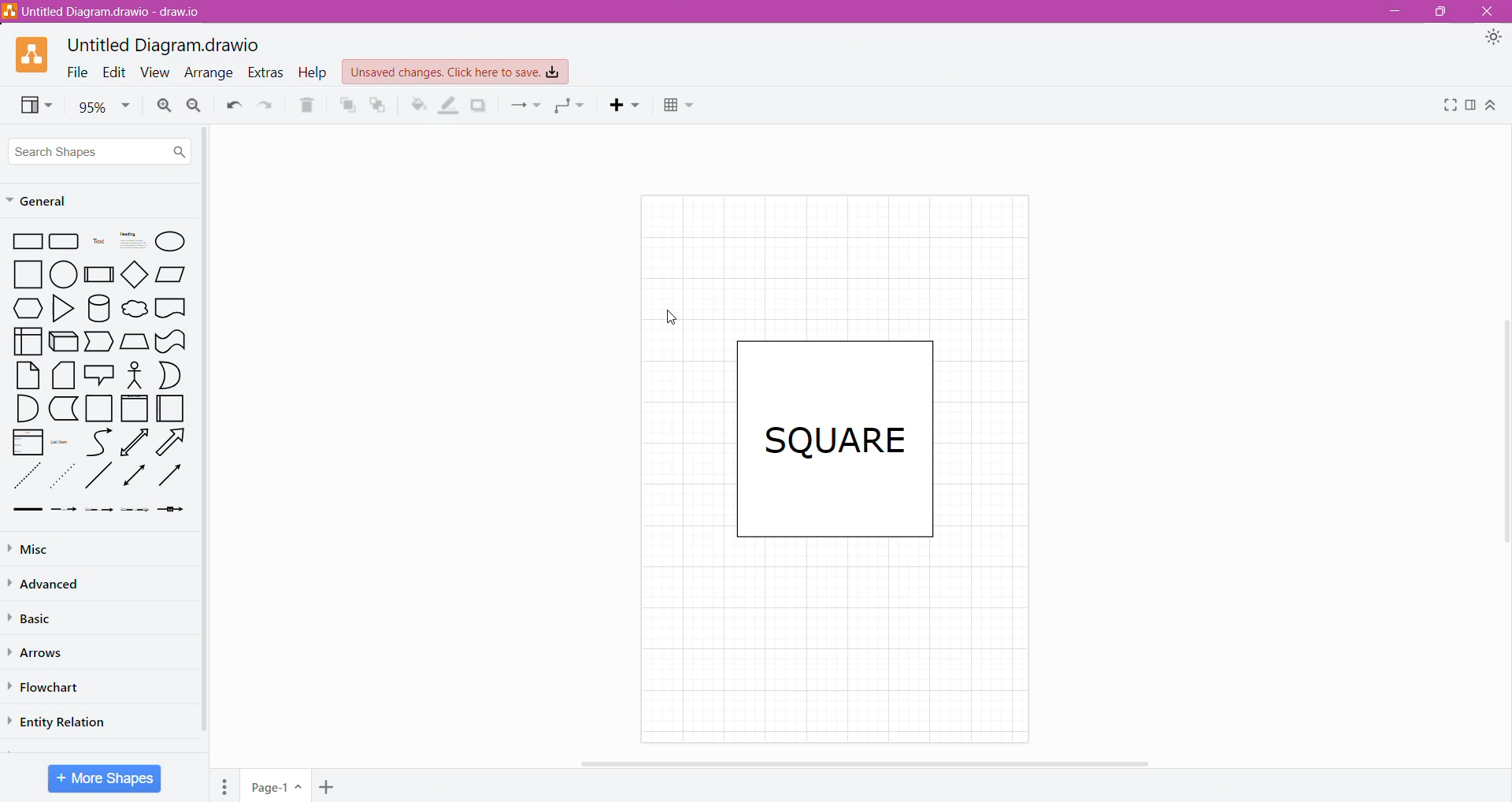 This screenshot has height=802, width=1512. What do you see at coordinates (684, 108) in the screenshot?
I see `Table` at bounding box center [684, 108].